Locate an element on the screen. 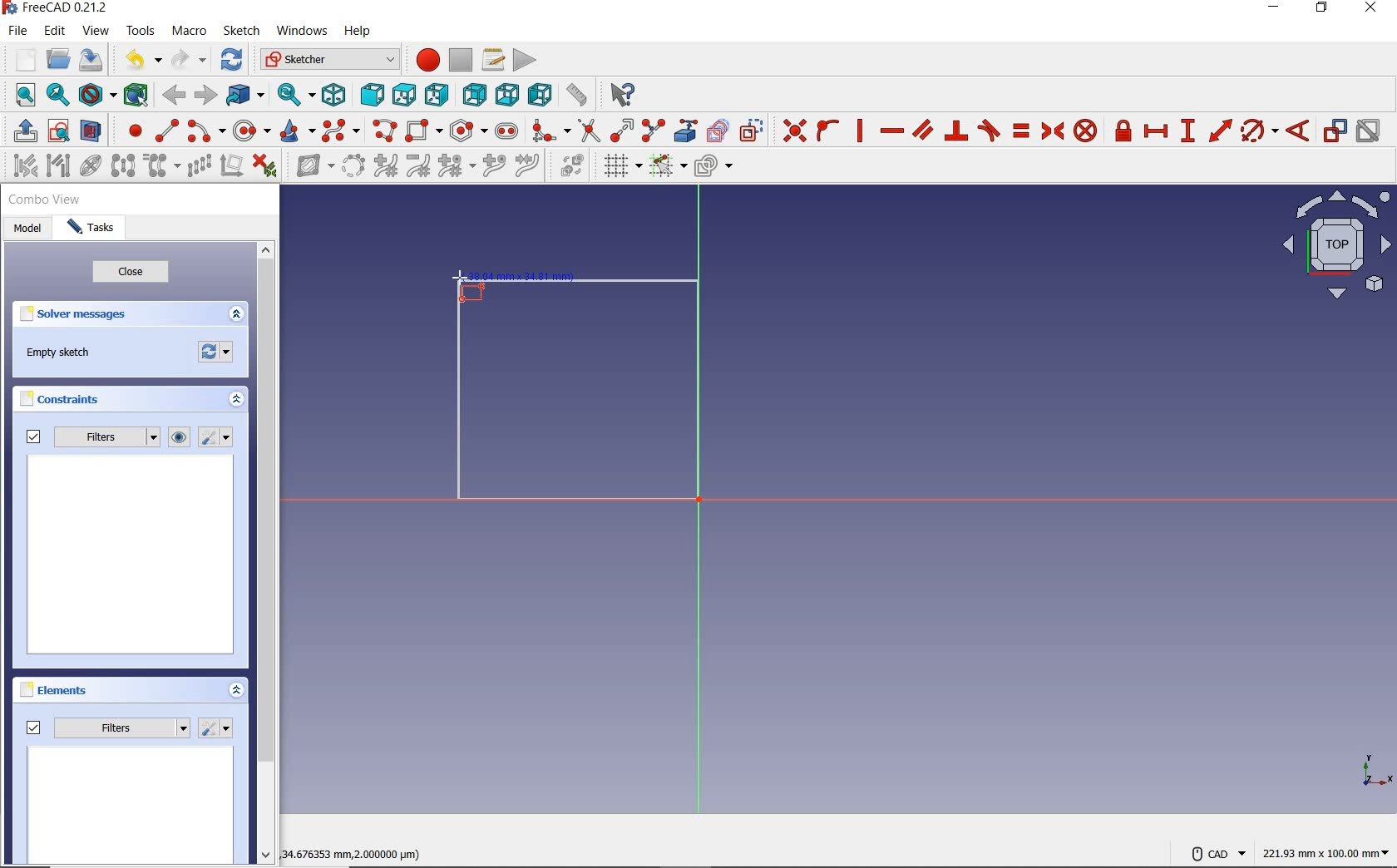 The image size is (1397, 868). open is located at coordinates (60, 57).